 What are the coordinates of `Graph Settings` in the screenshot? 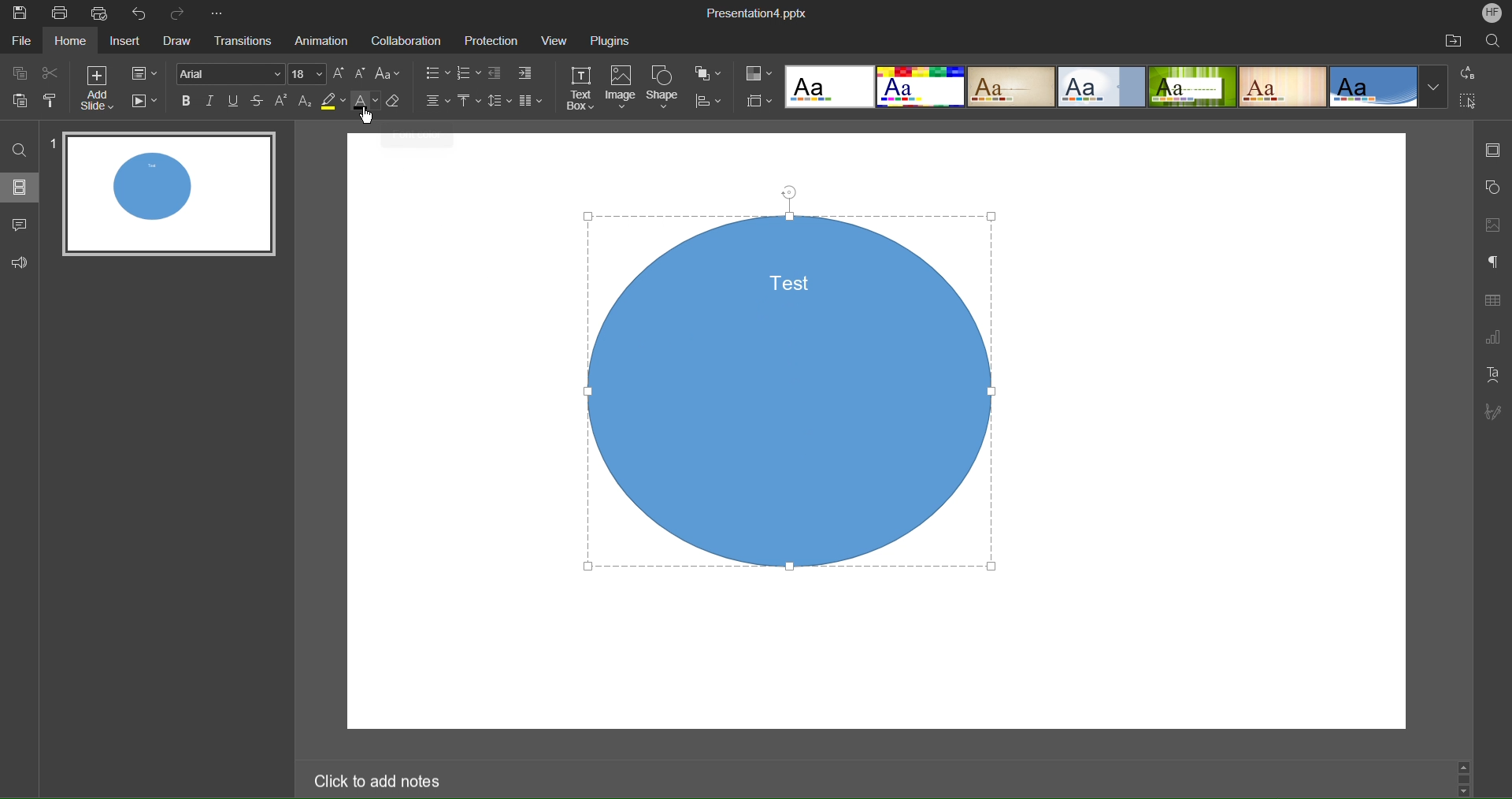 It's located at (1493, 337).